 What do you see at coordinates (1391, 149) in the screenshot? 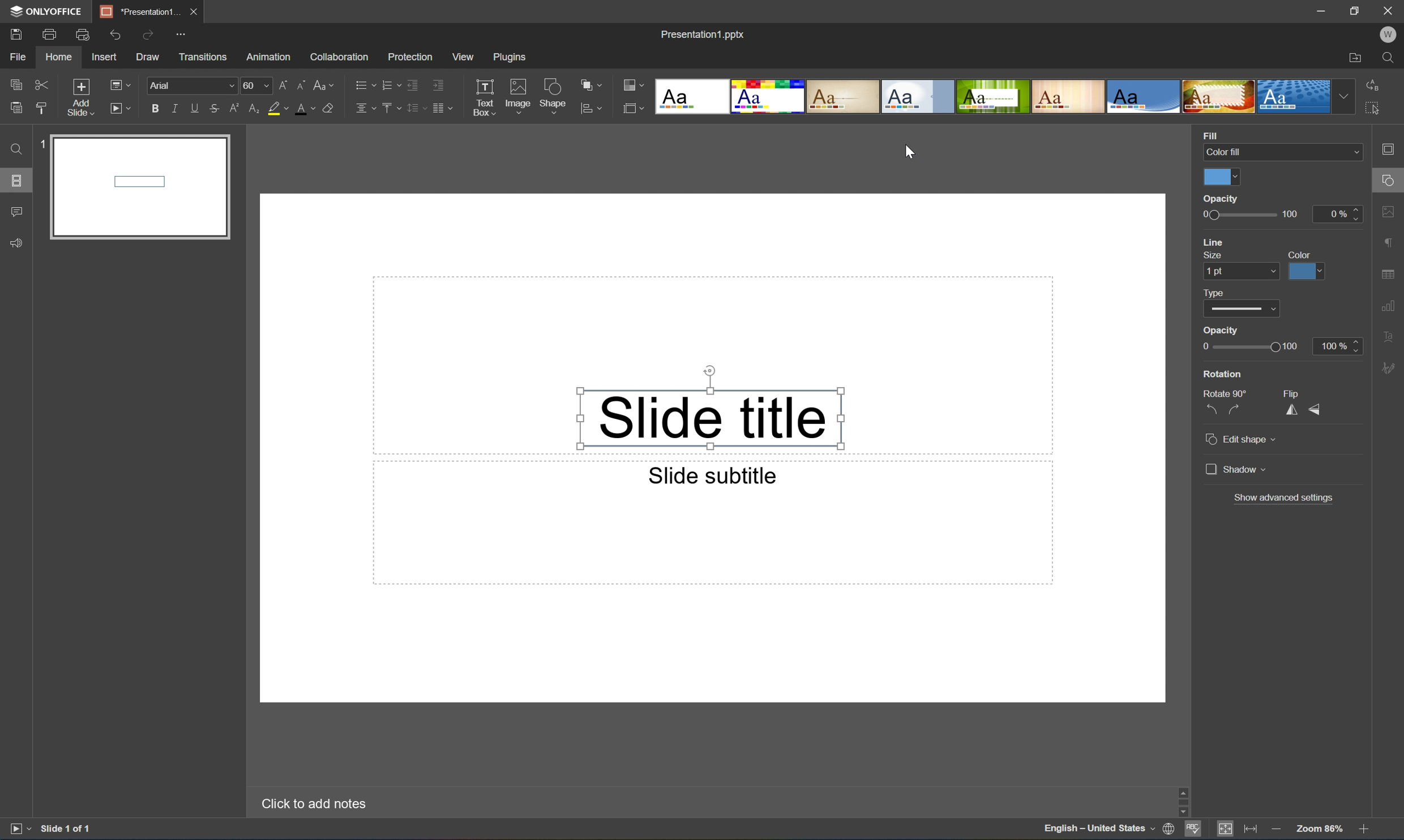
I see `slide settings` at bounding box center [1391, 149].